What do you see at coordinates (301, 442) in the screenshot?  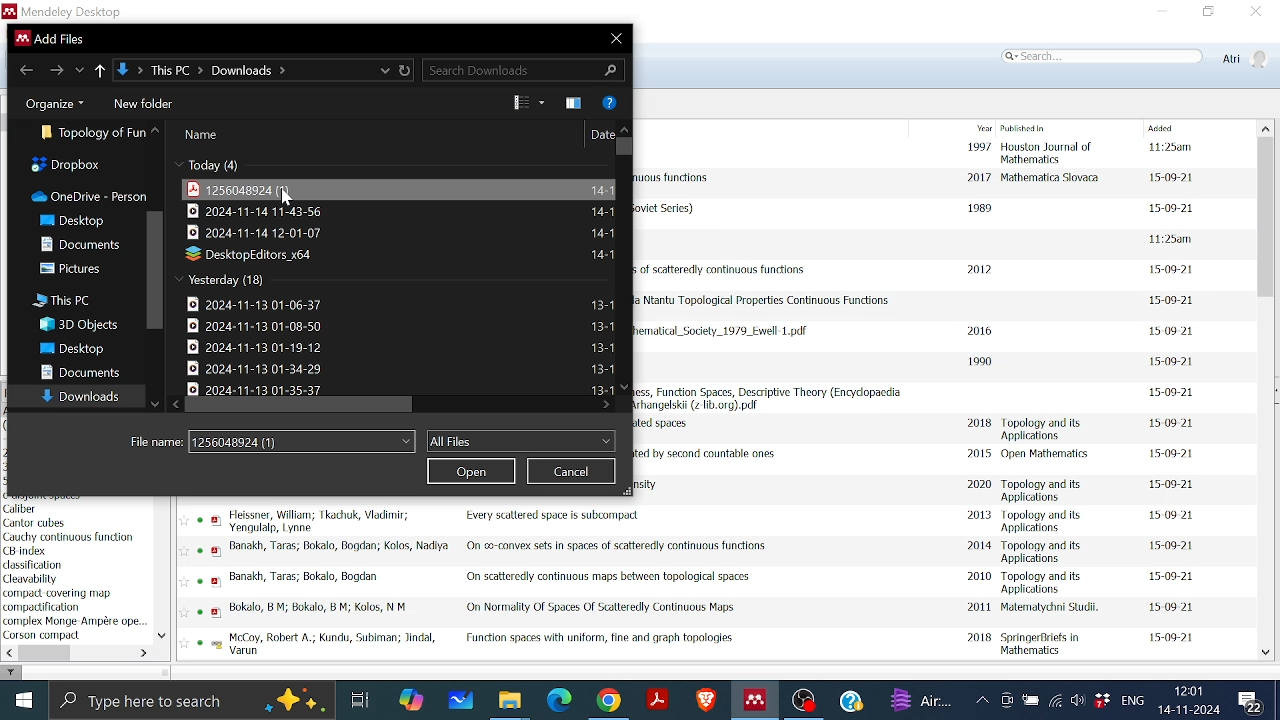 I see `File name` at bounding box center [301, 442].